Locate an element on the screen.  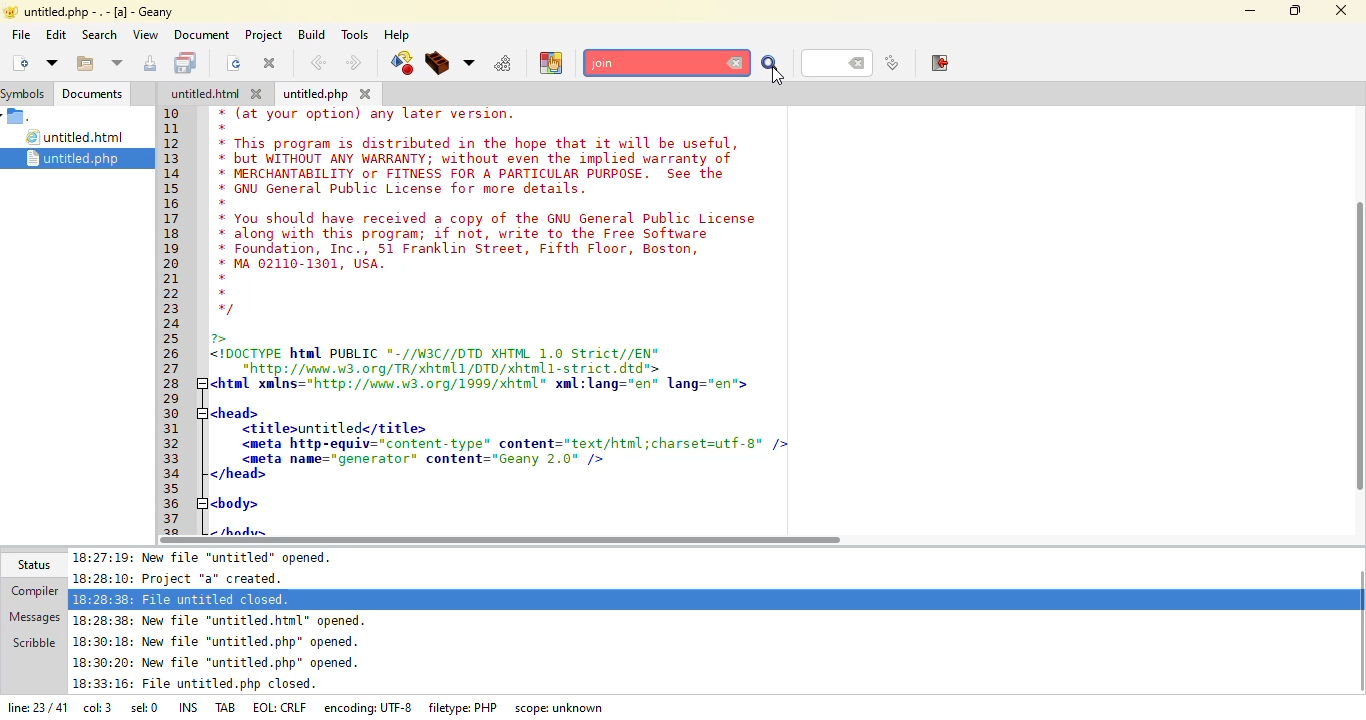
choose a color is located at coordinates (551, 62).